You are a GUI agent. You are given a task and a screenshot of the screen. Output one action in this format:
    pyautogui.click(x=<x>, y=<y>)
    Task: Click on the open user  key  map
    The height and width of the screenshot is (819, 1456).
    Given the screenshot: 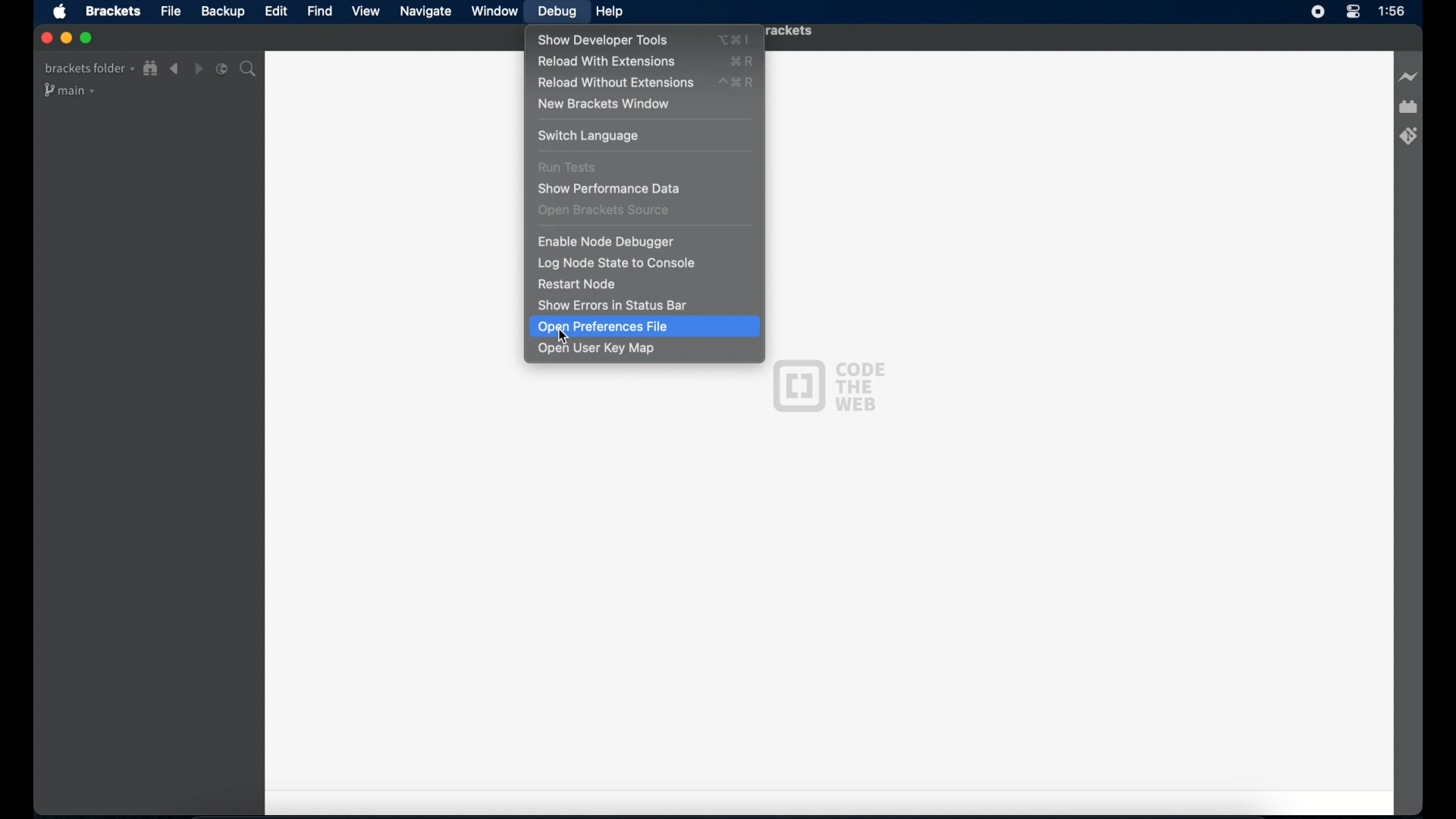 What is the action you would take?
    pyautogui.click(x=597, y=350)
    